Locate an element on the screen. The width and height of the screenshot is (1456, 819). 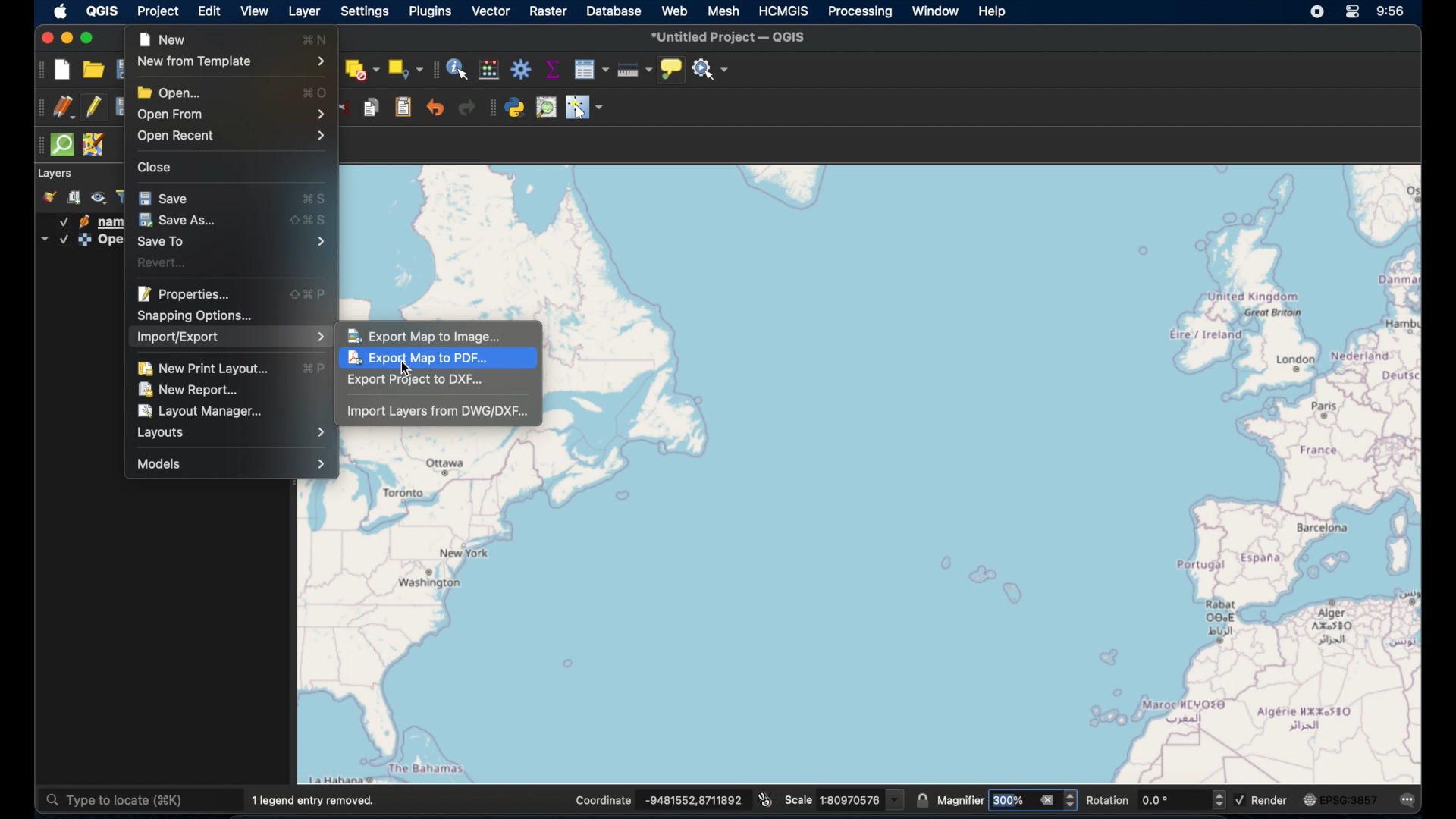
models menu is located at coordinates (229, 463).